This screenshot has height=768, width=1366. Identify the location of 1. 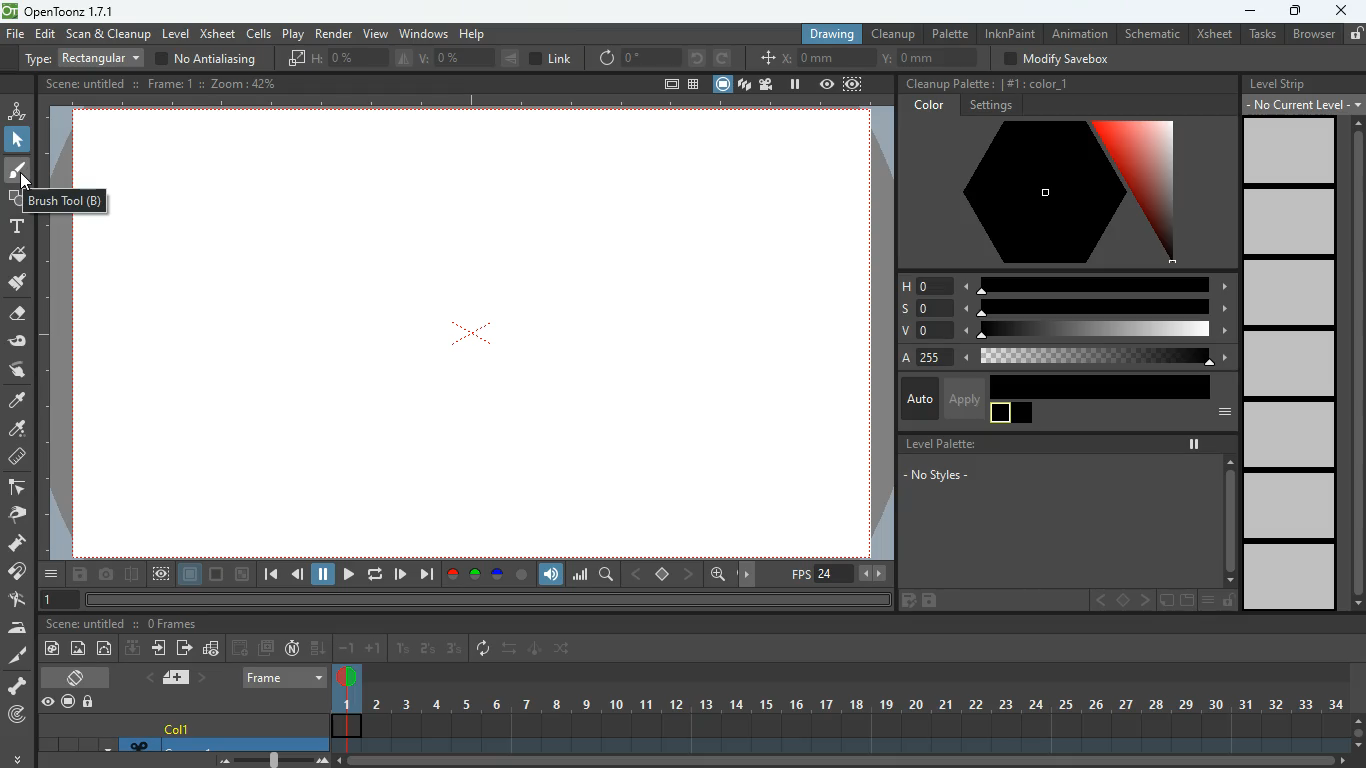
(403, 649).